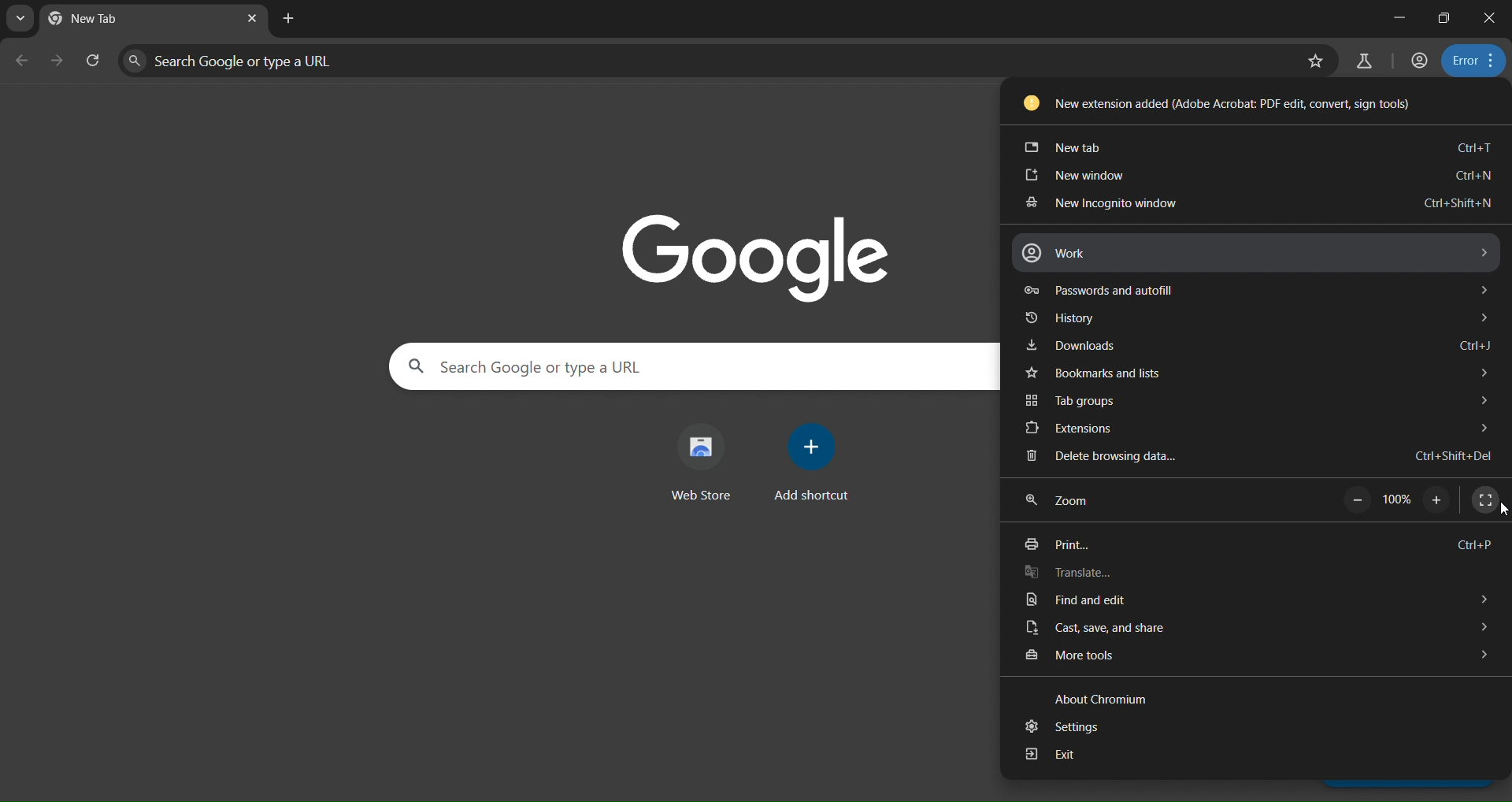  Describe the element at coordinates (1317, 60) in the screenshot. I see `bookmark page` at that location.